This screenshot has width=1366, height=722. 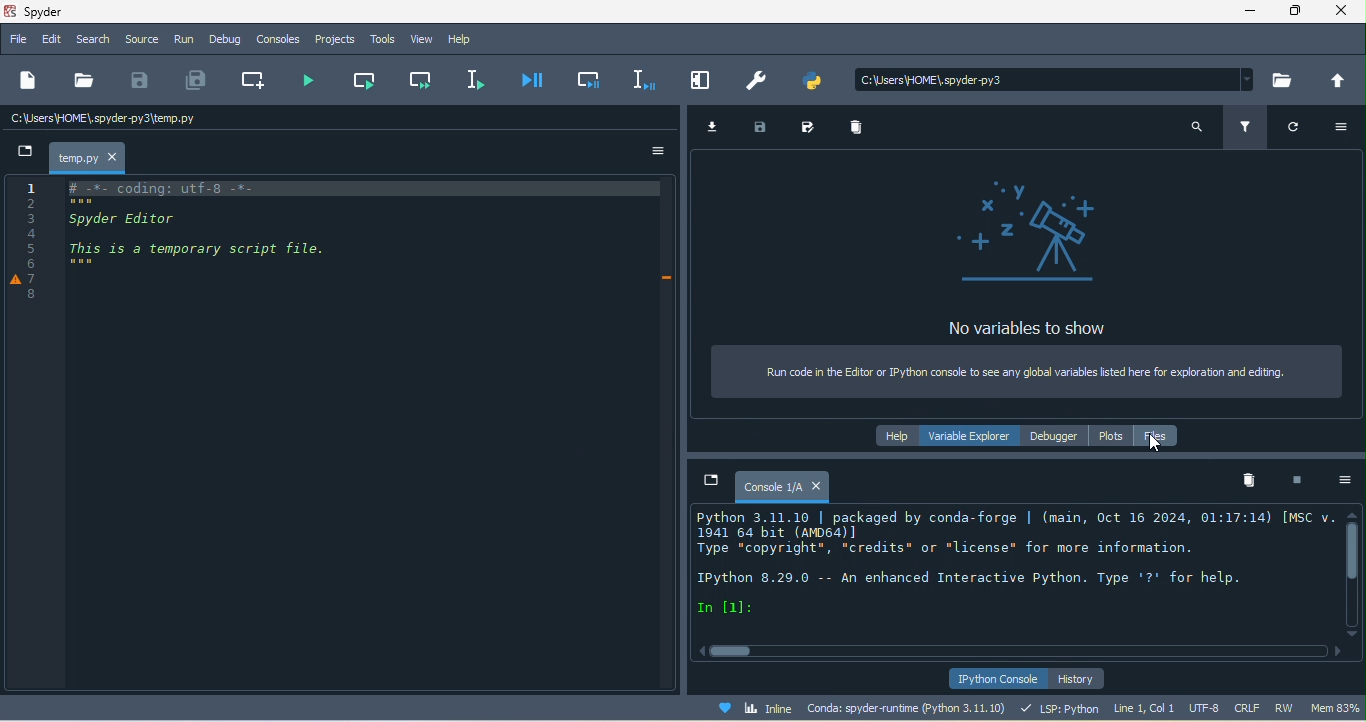 I want to click on help, so click(x=464, y=39).